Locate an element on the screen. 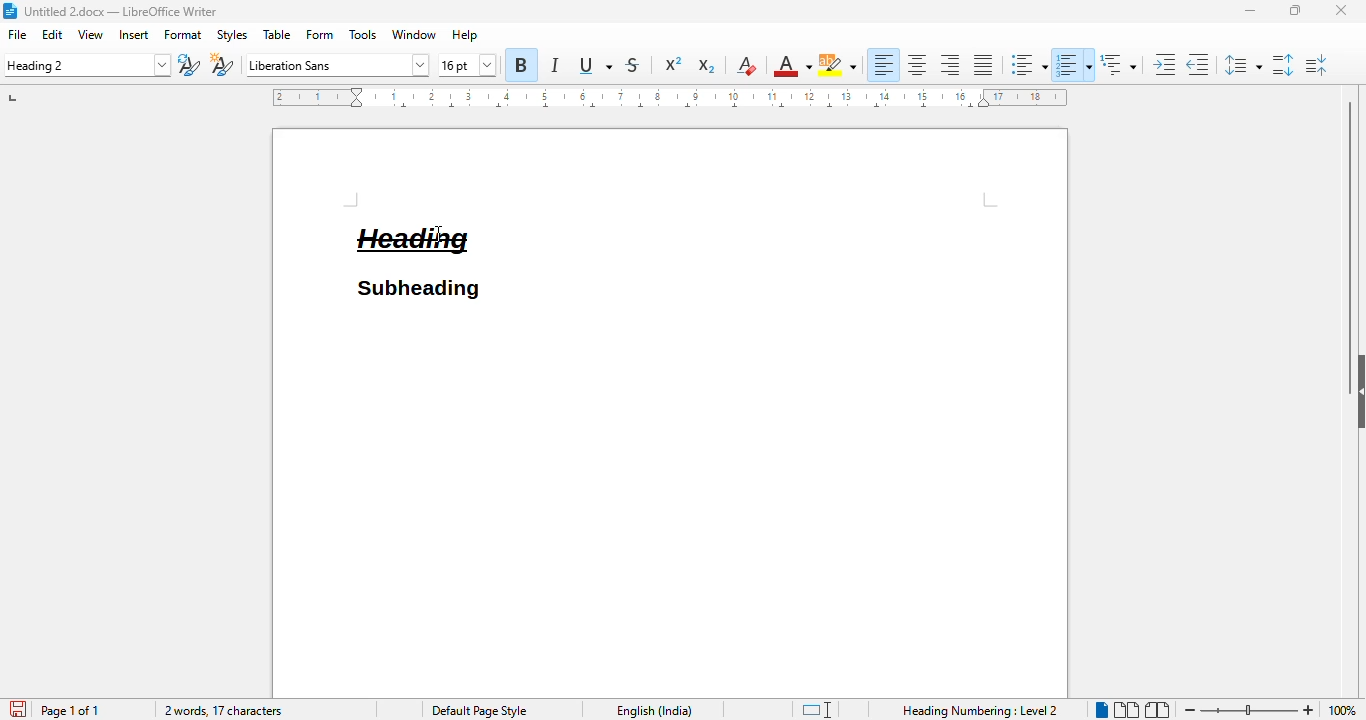 The width and height of the screenshot is (1366, 720). character highlighting color is located at coordinates (837, 65).